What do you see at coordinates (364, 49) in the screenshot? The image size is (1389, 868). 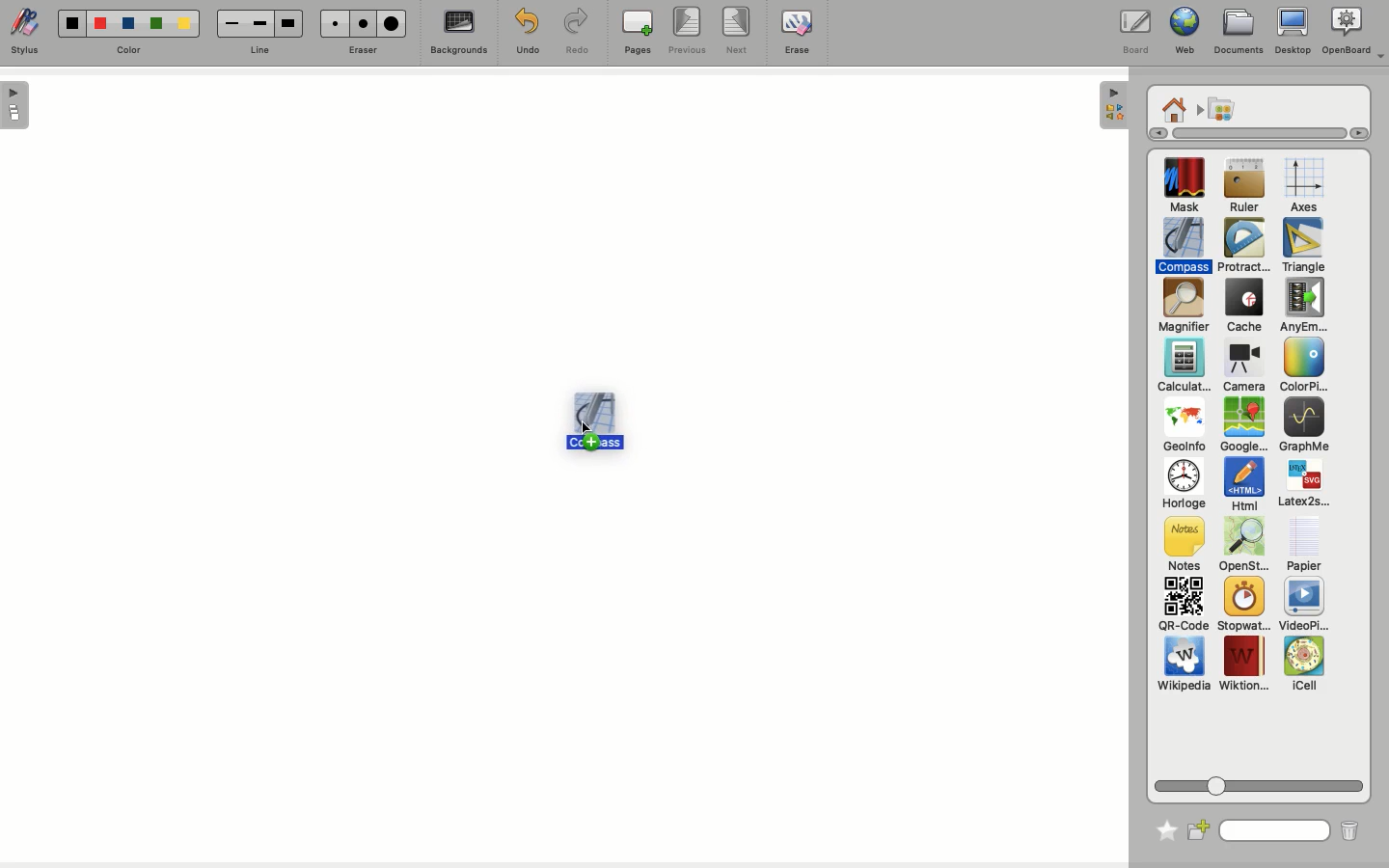 I see `Eraser` at bounding box center [364, 49].